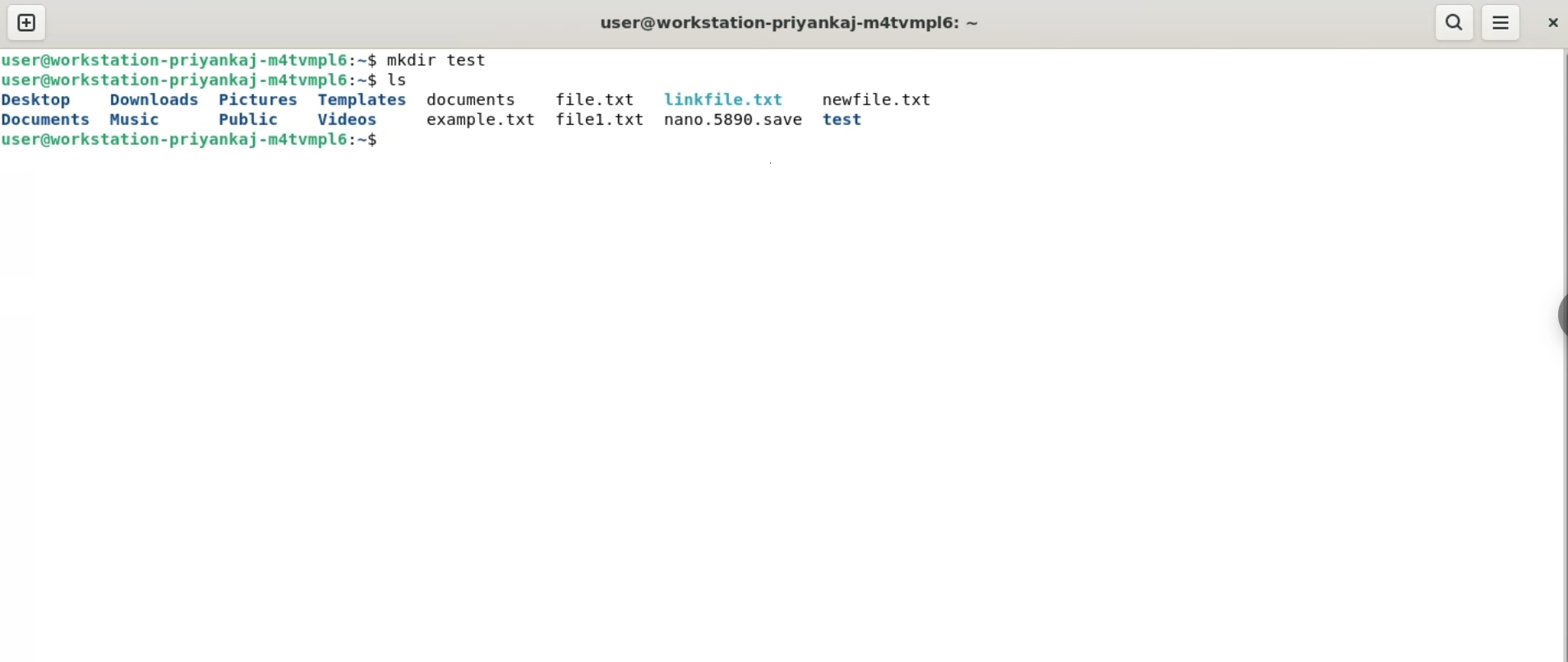 This screenshot has height=662, width=1568. What do you see at coordinates (260, 99) in the screenshot?
I see `pictures` at bounding box center [260, 99].